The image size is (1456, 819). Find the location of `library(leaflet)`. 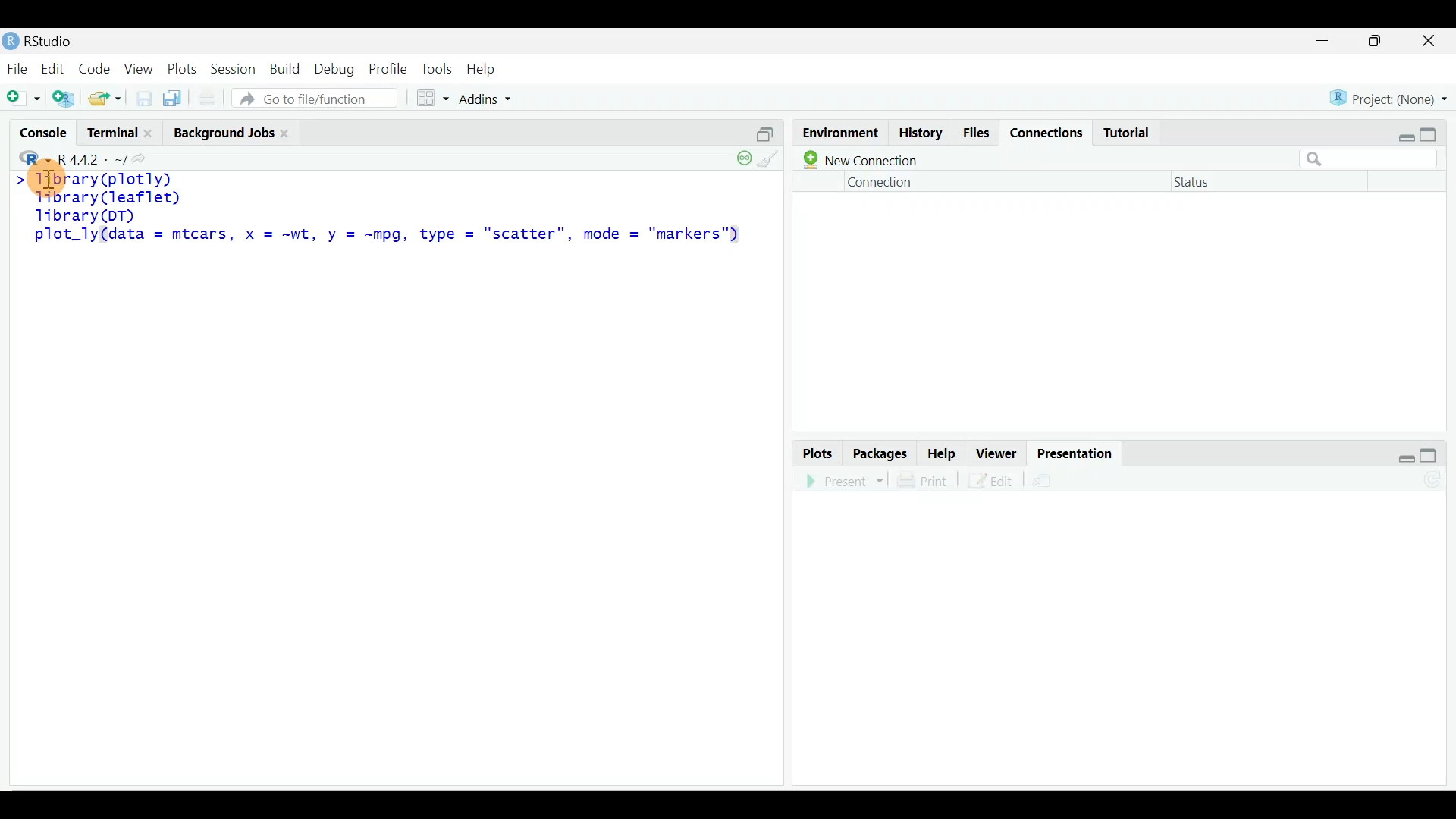

library(leaflet) is located at coordinates (109, 198).